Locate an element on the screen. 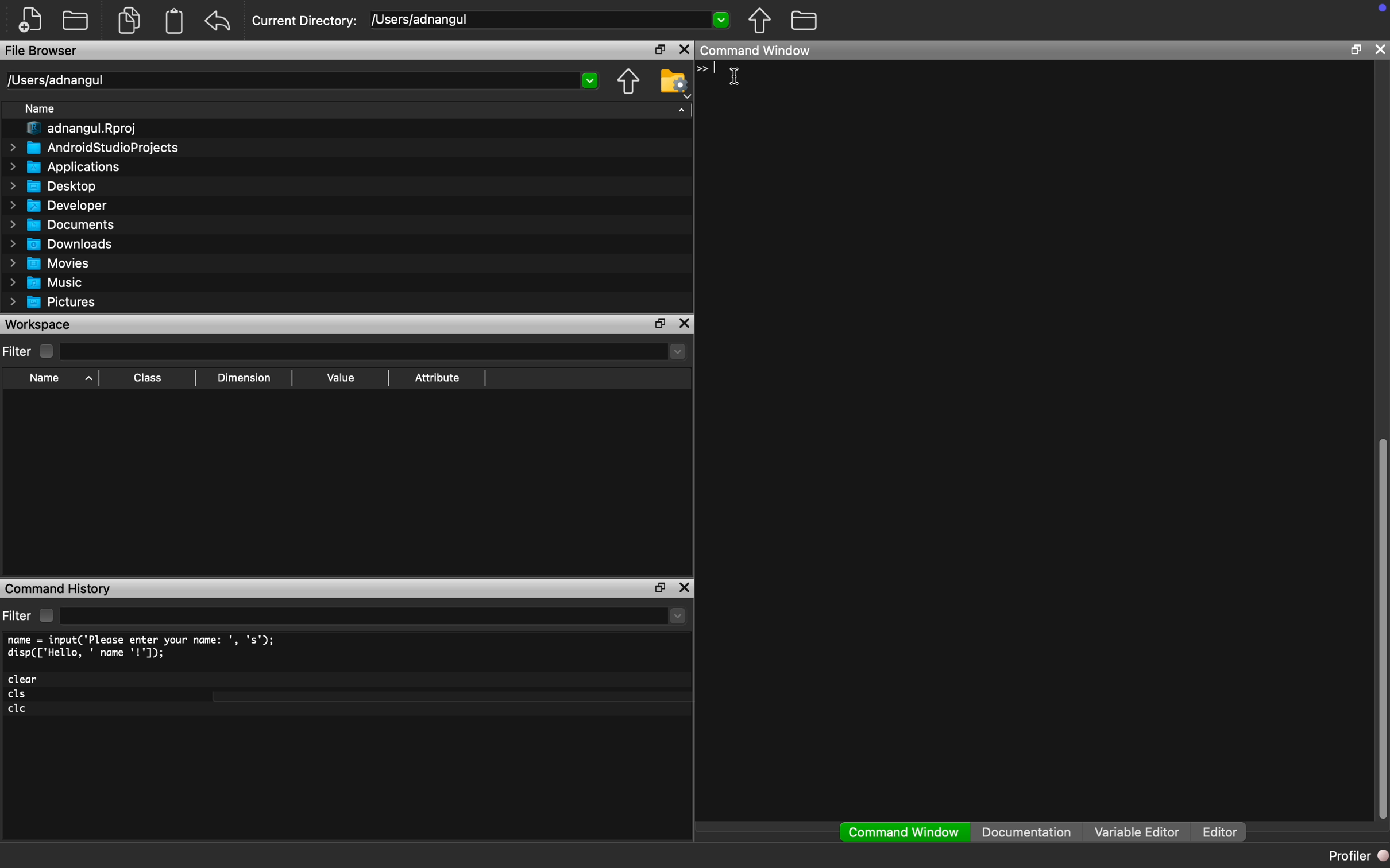 Image resolution: width=1390 pixels, height=868 pixels. Workplace is located at coordinates (40, 324).